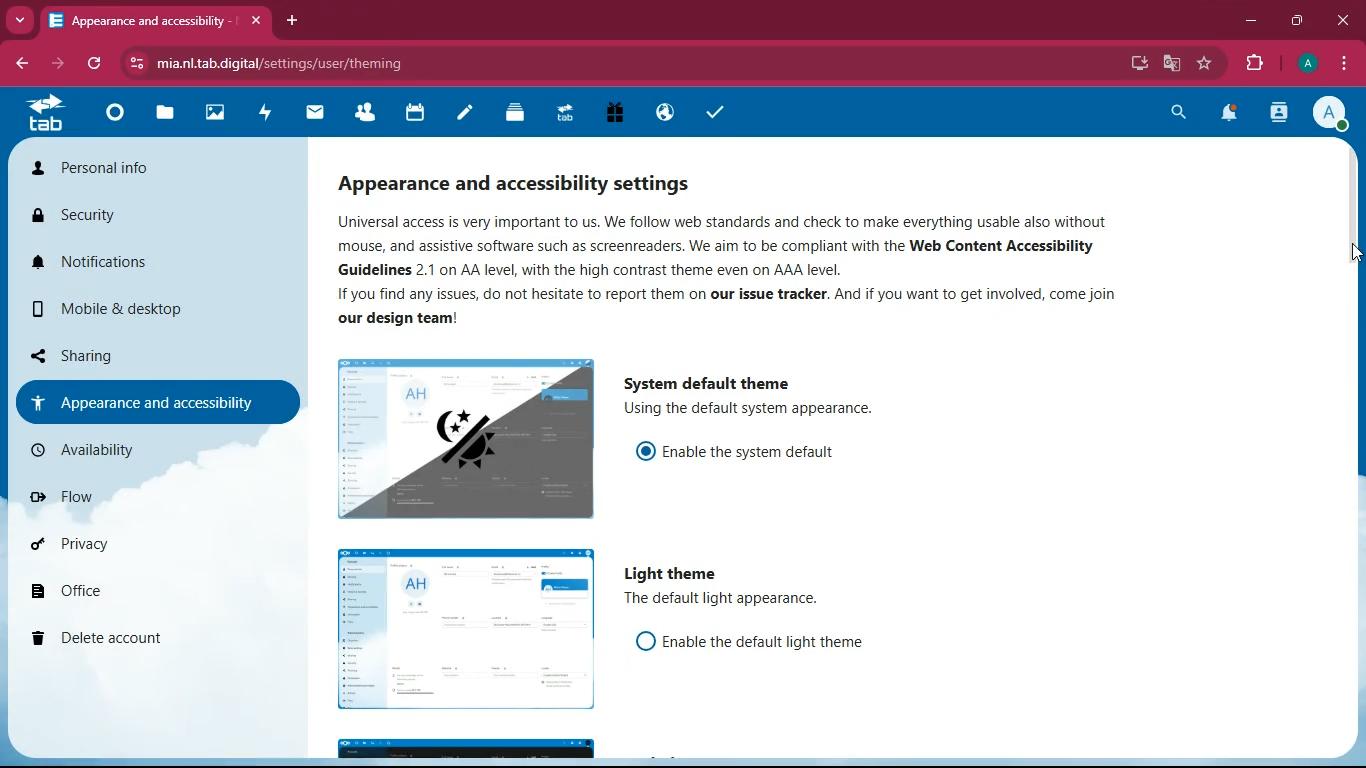  Describe the element at coordinates (705, 381) in the screenshot. I see `system default` at that location.